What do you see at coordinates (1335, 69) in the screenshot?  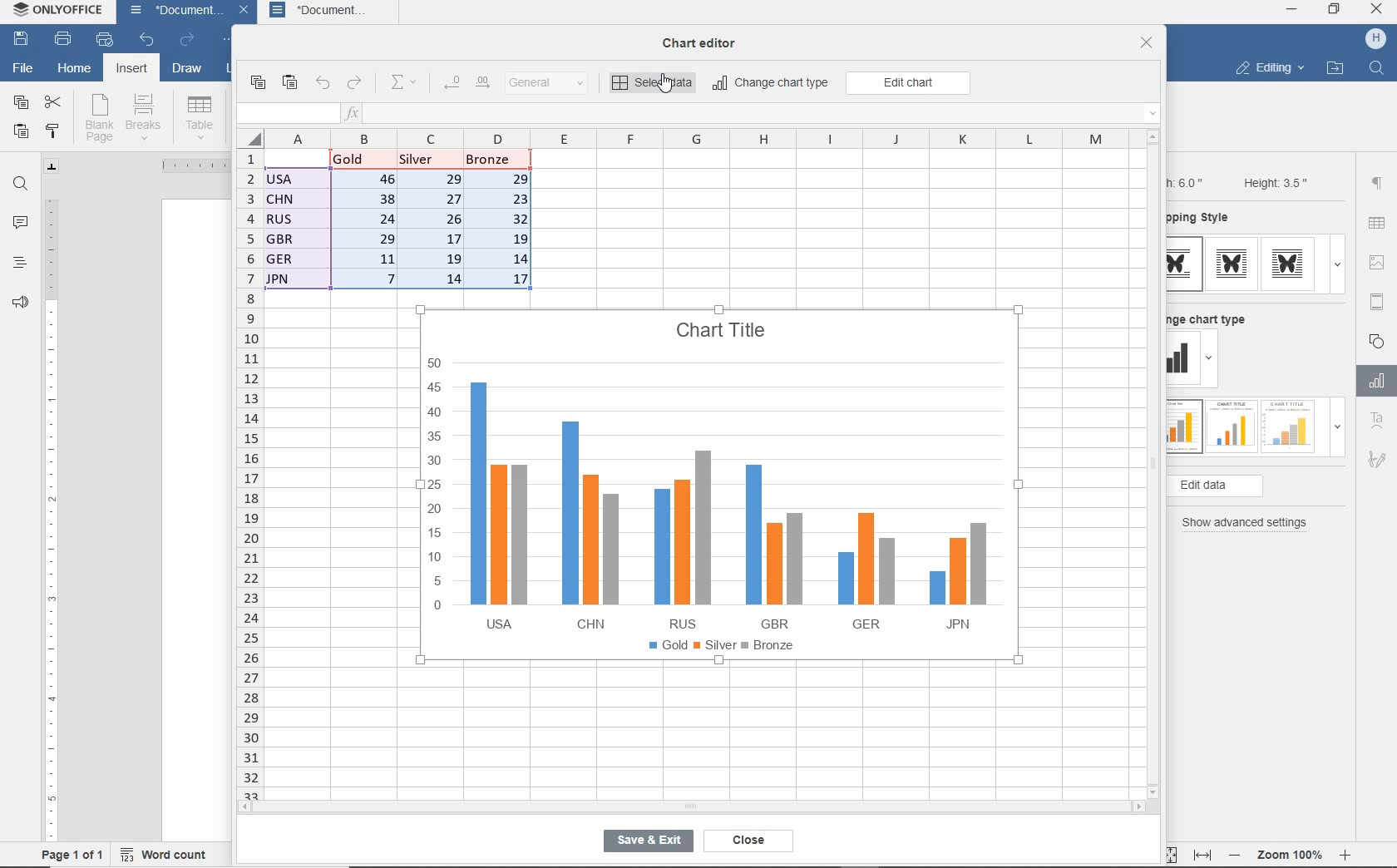 I see `open file location` at bounding box center [1335, 69].